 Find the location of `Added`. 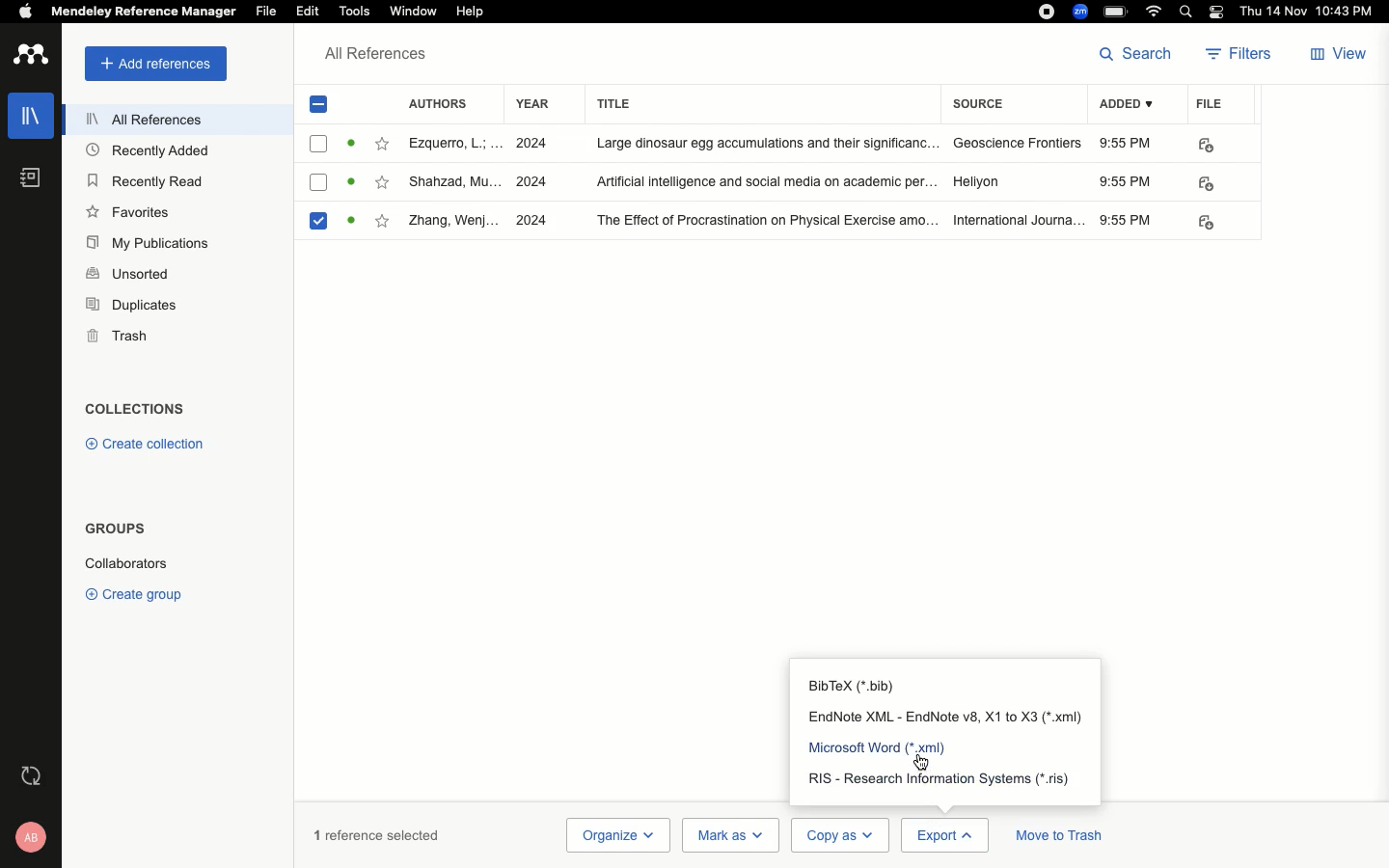

Added is located at coordinates (1131, 106).